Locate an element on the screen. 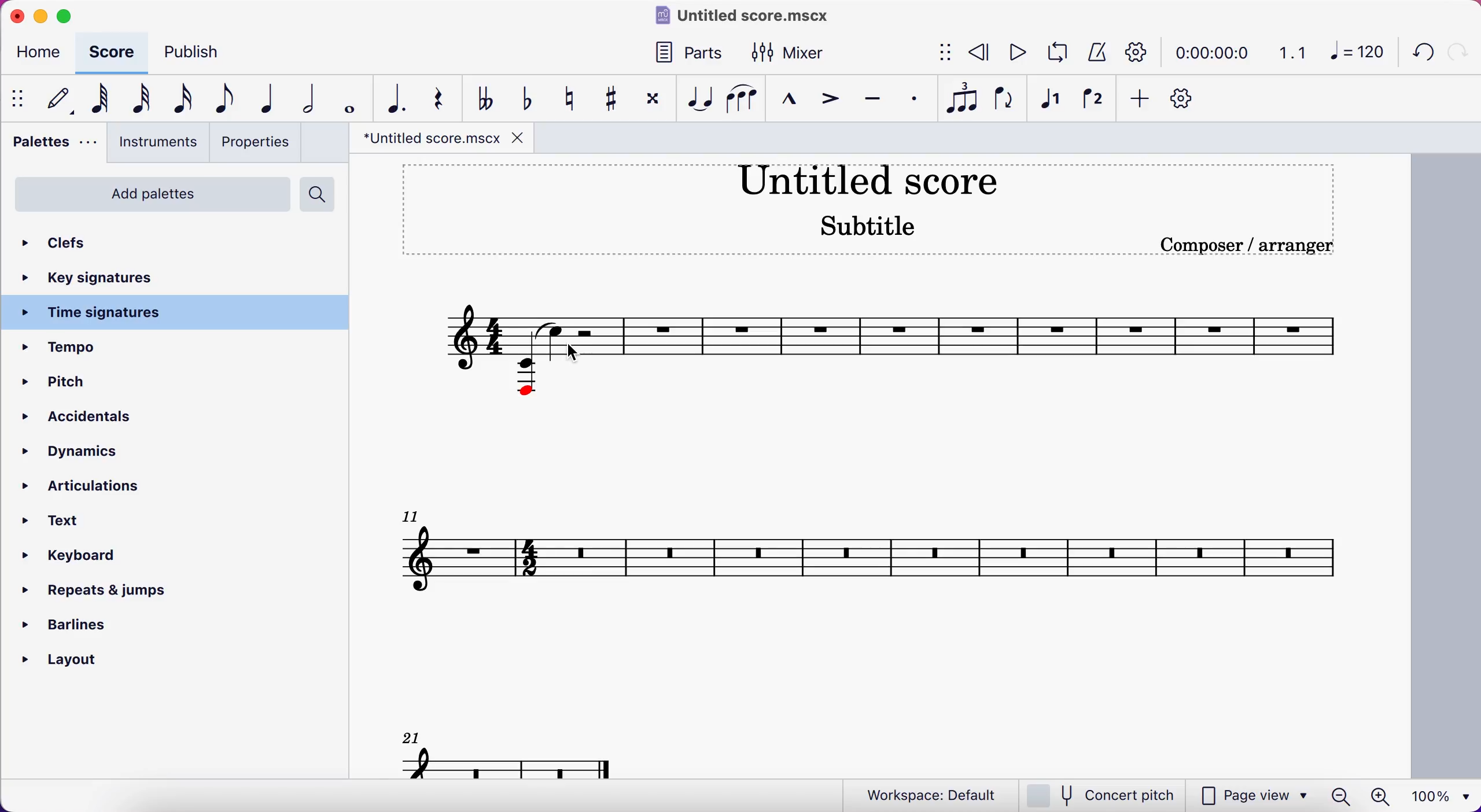  clefs is located at coordinates (111, 243).